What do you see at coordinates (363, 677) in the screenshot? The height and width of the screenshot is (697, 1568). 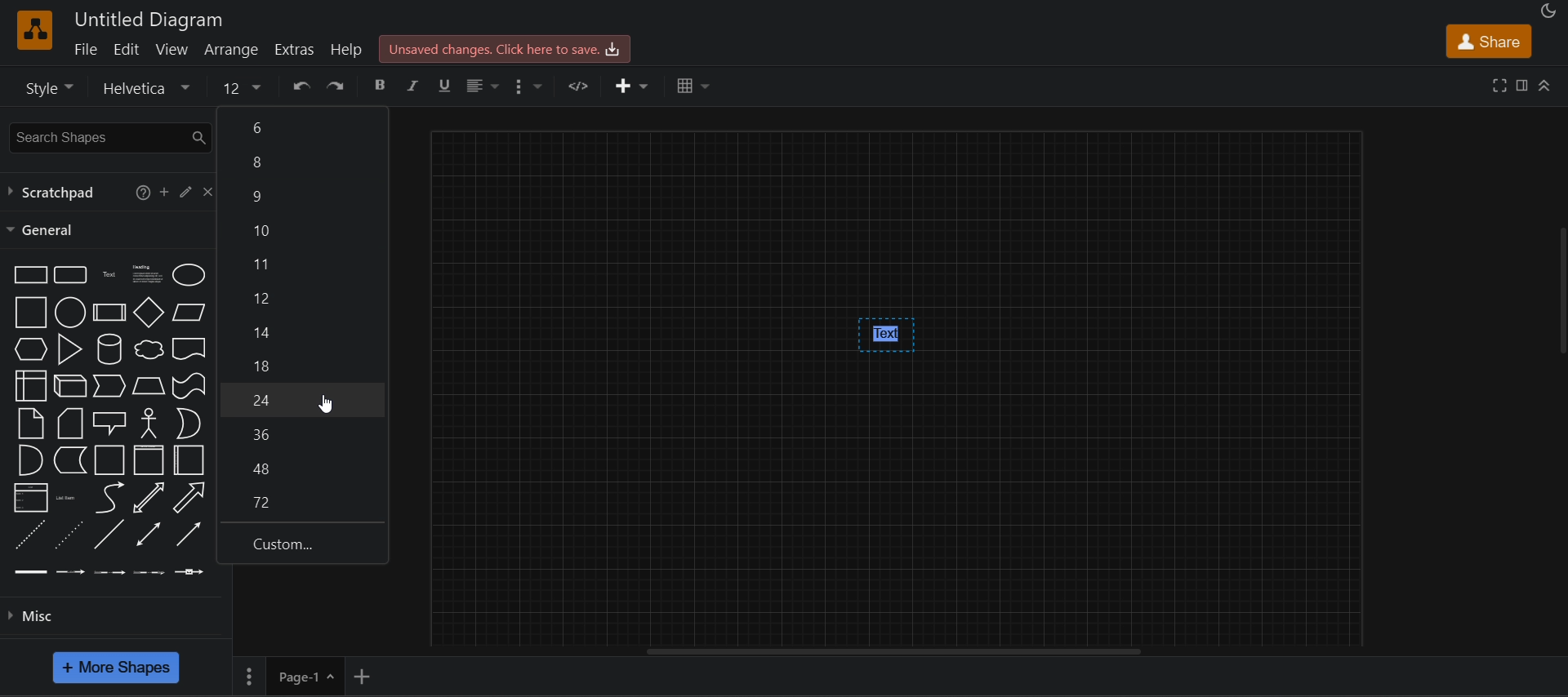 I see `add new page` at bounding box center [363, 677].